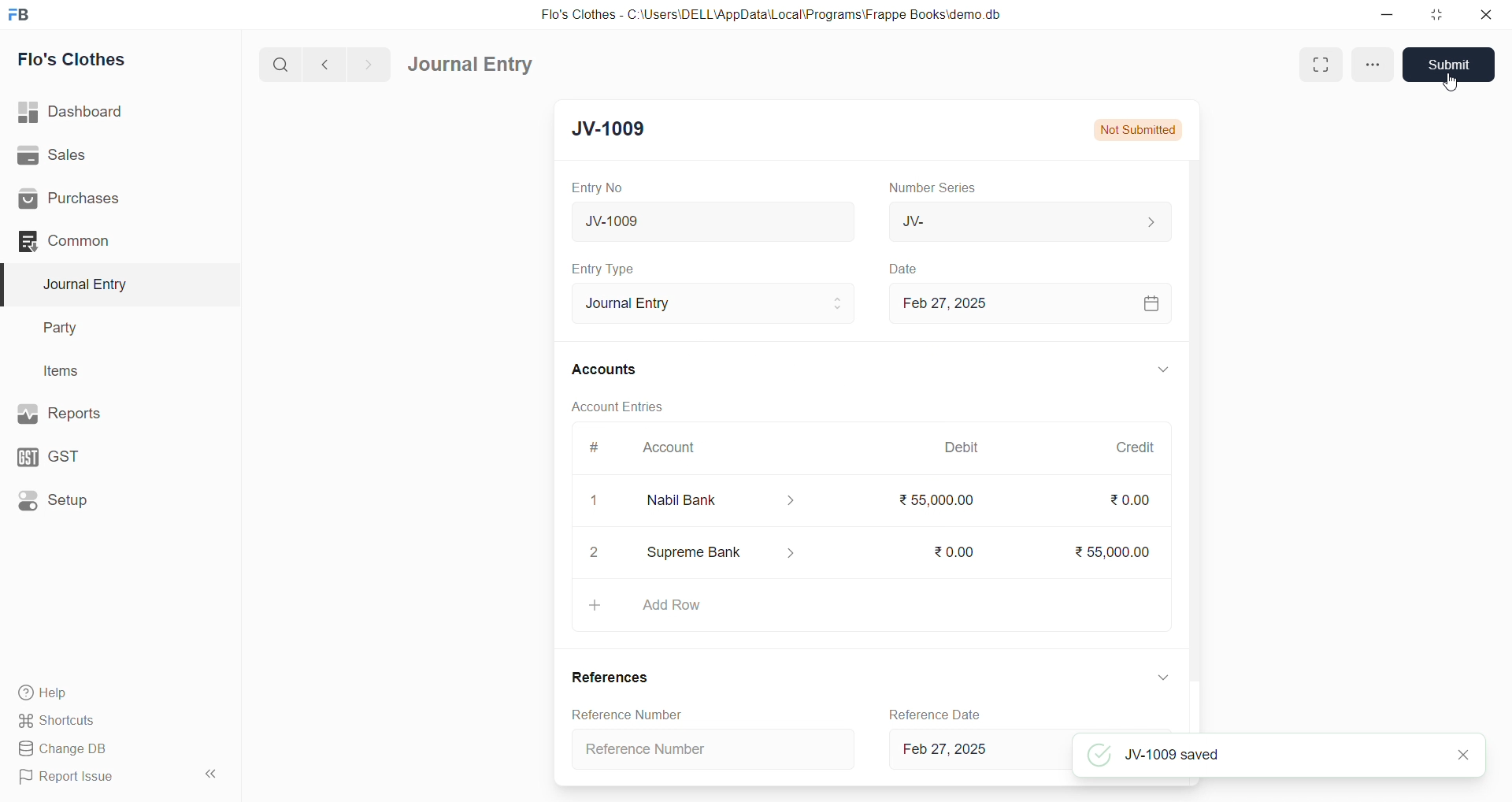 The height and width of the screenshot is (802, 1512). Describe the element at coordinates (1319, 64) in the screenshot. I see `Fit window` at that location.